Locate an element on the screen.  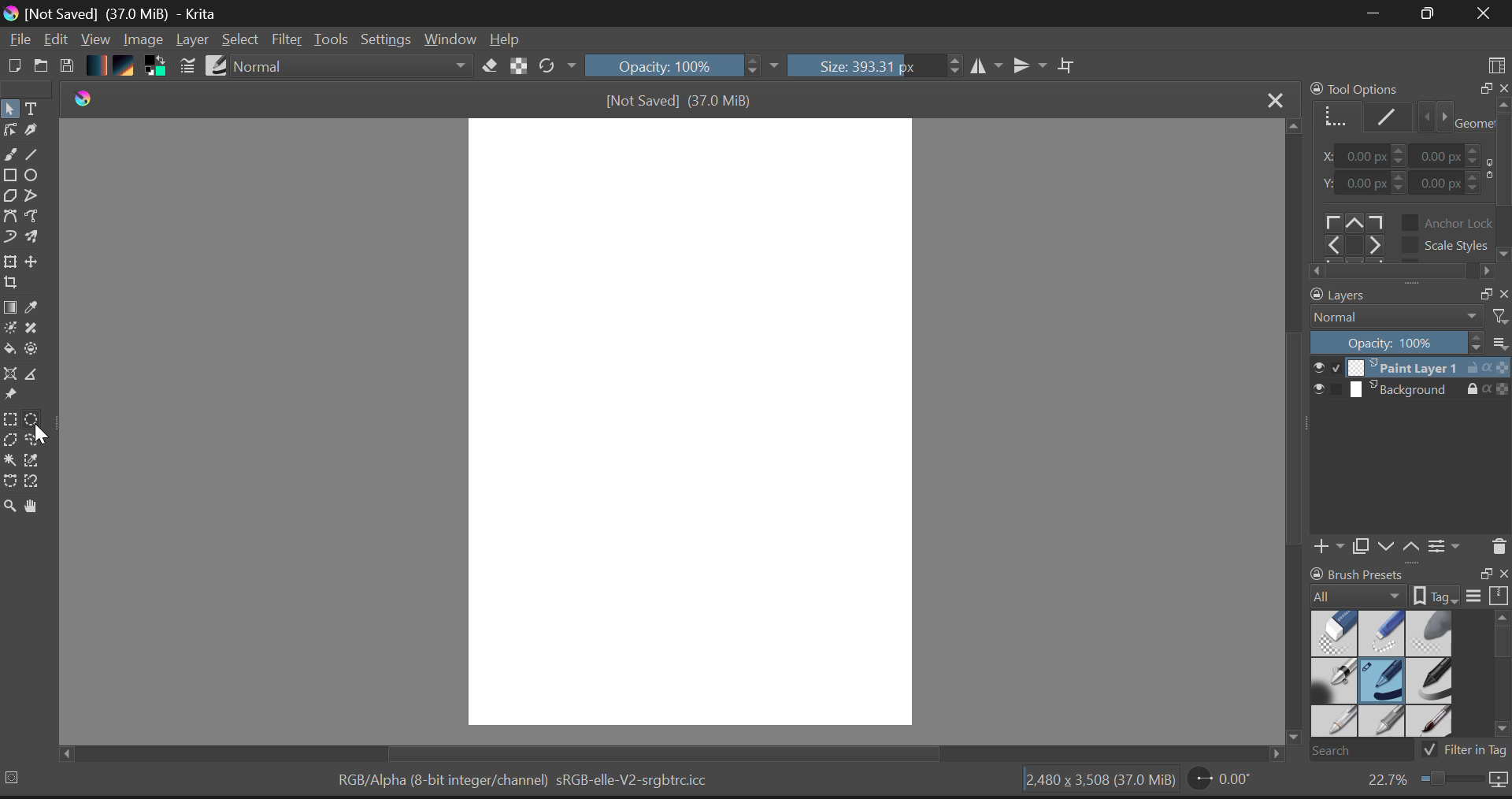
Color Information is located at coordinates (528, 782).